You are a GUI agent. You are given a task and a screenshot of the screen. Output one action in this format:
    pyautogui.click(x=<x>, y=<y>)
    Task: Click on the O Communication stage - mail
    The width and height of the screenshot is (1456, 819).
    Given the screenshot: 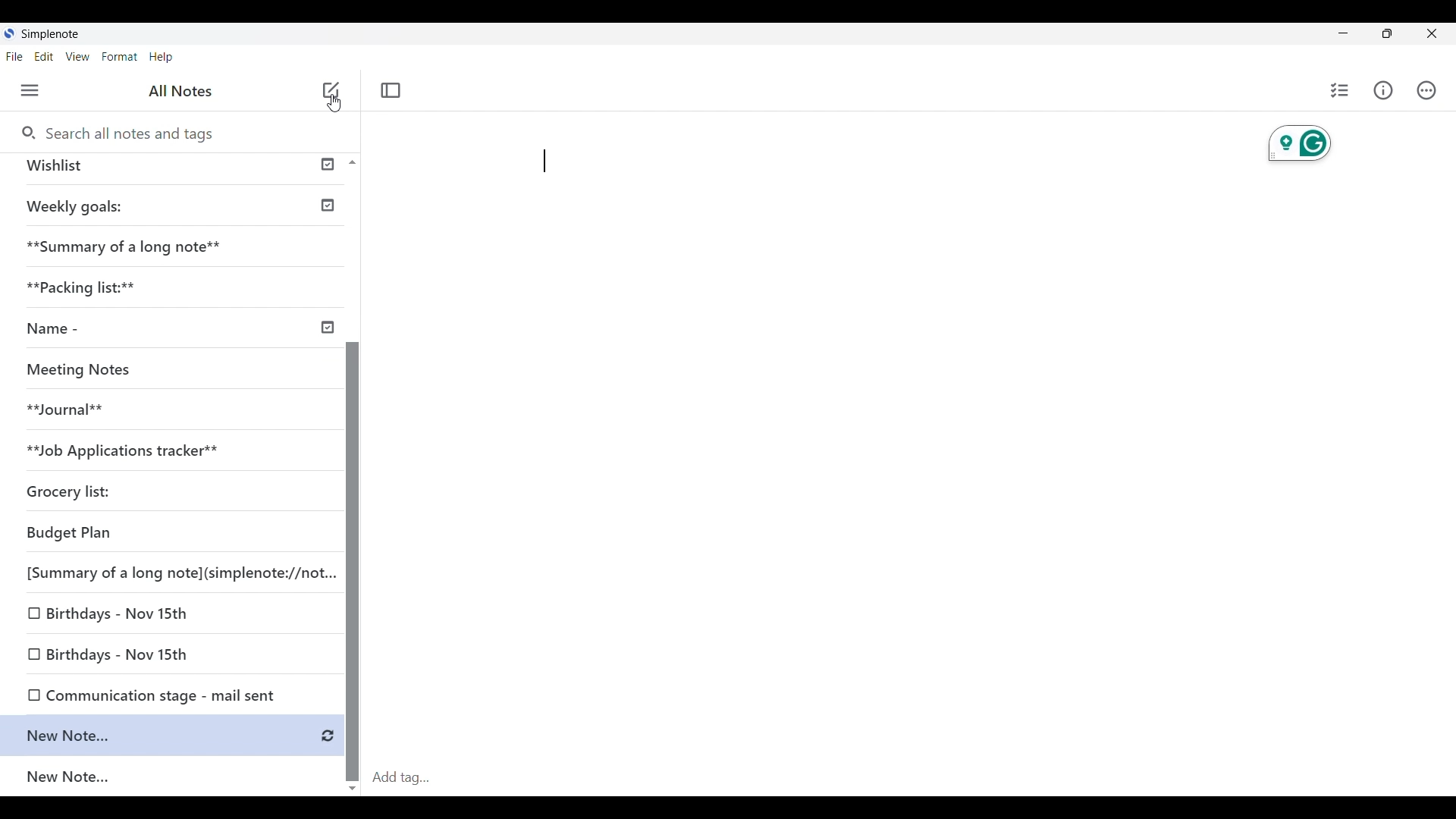 What is the action you would take?
    pyautogui.click(x=154, y=692)
    